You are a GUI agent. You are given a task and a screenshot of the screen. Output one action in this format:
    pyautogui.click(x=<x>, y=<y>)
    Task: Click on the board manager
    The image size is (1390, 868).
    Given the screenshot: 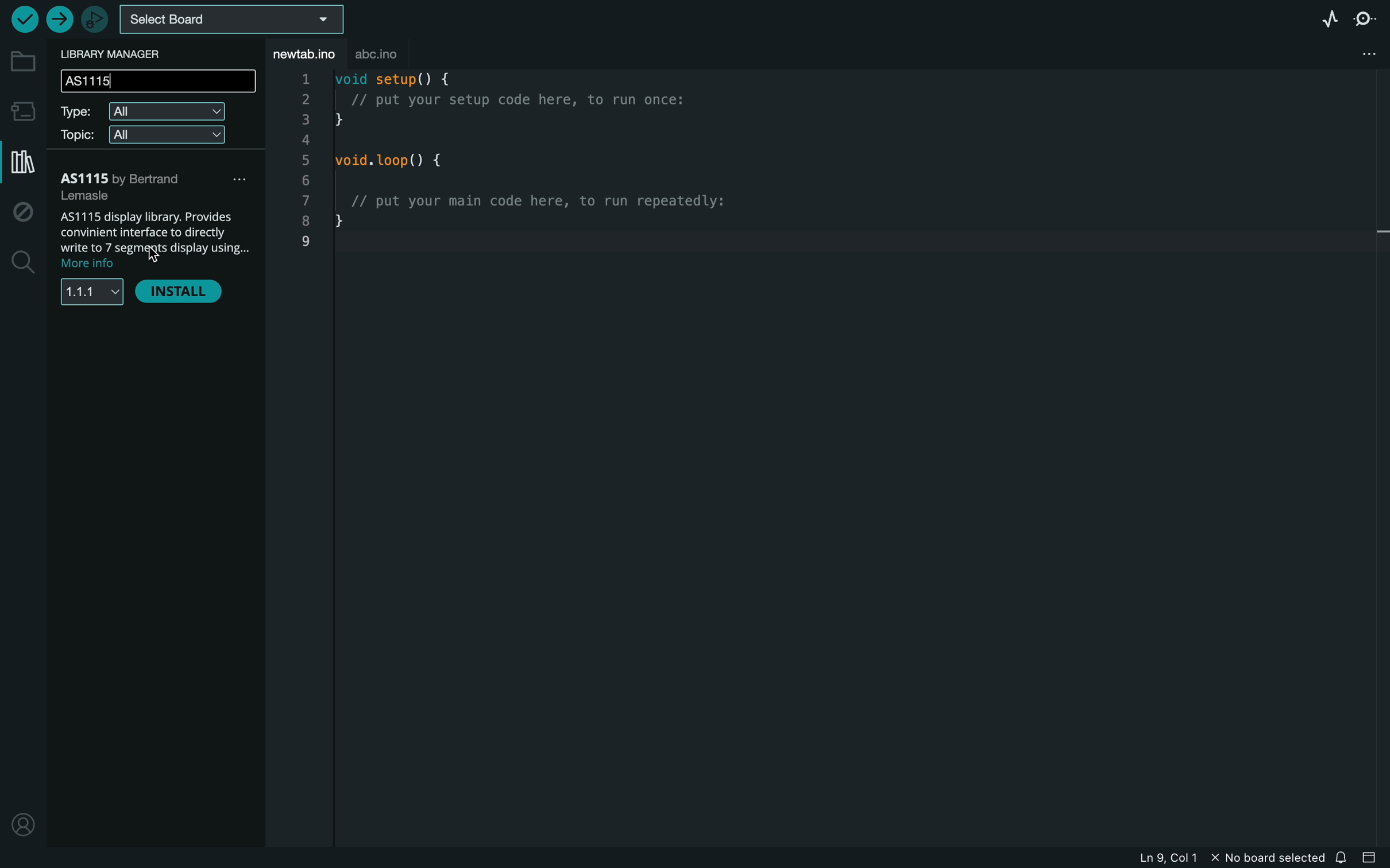 What is the action you would take?
    pyautogui.click(x=23, y=111)
    